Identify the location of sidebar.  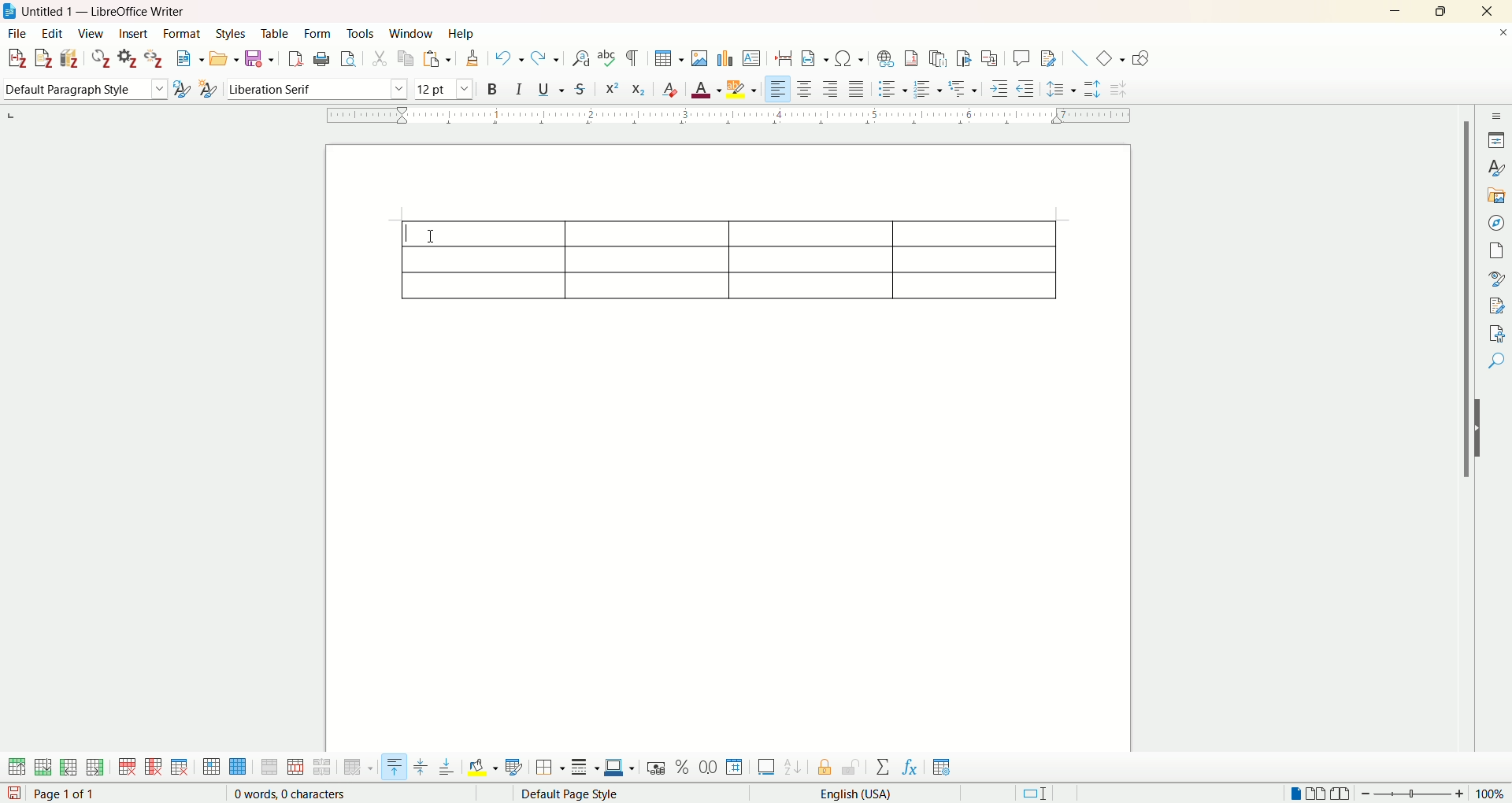
(1498, 117).